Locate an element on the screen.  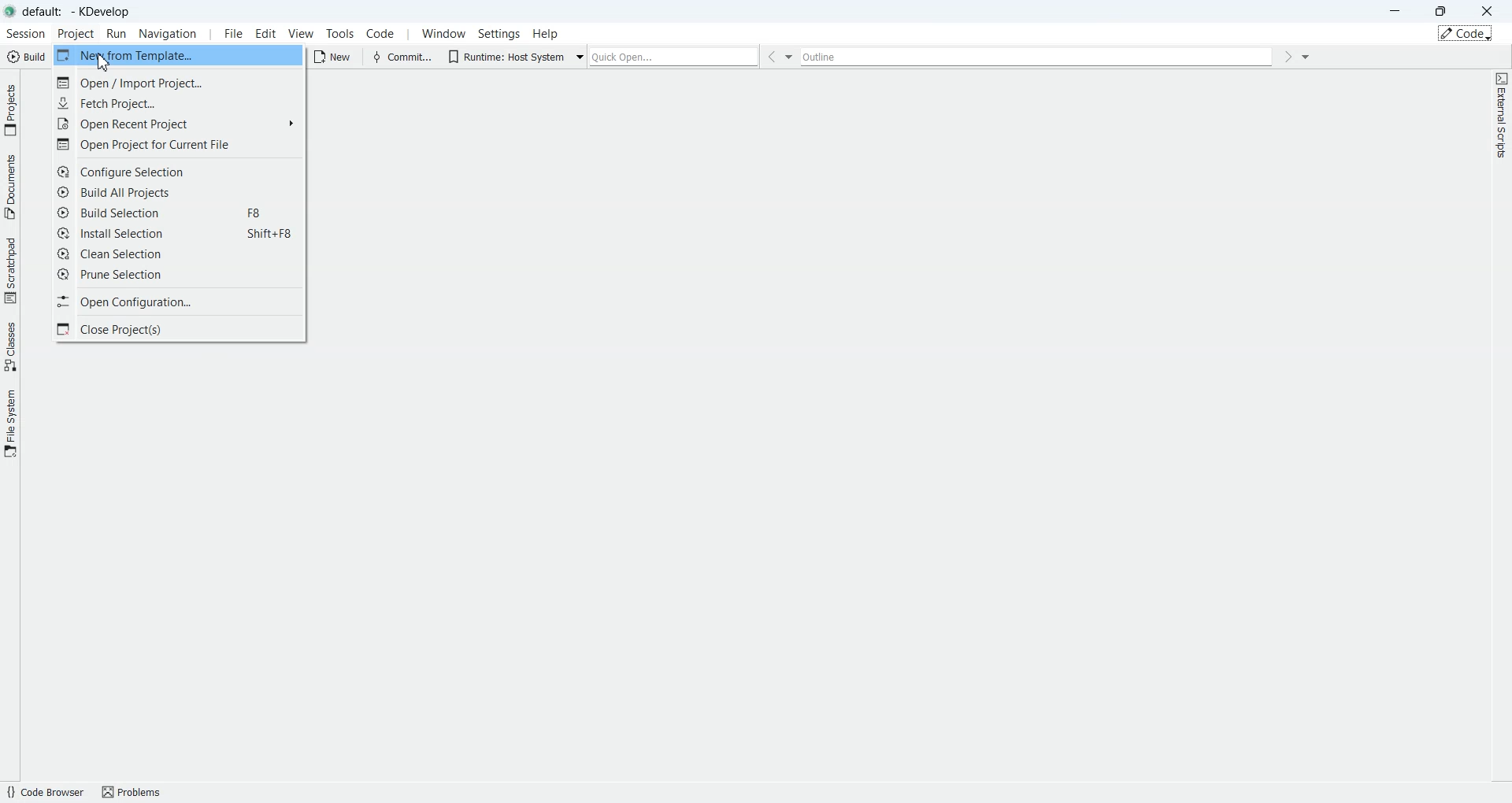
Minimize is located at coordinates (1397, 11).